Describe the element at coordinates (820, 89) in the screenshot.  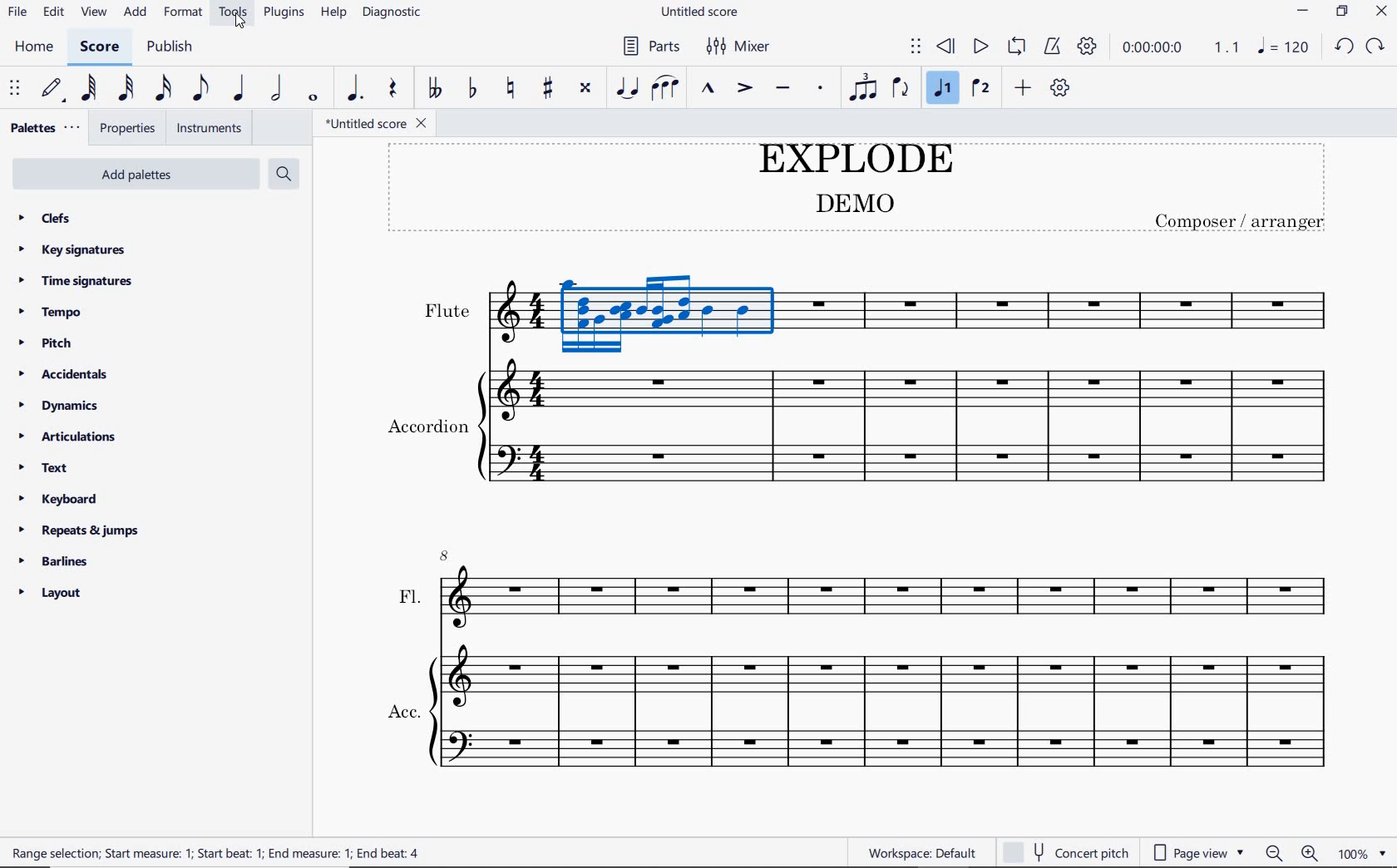
I see `staccato` at that location.